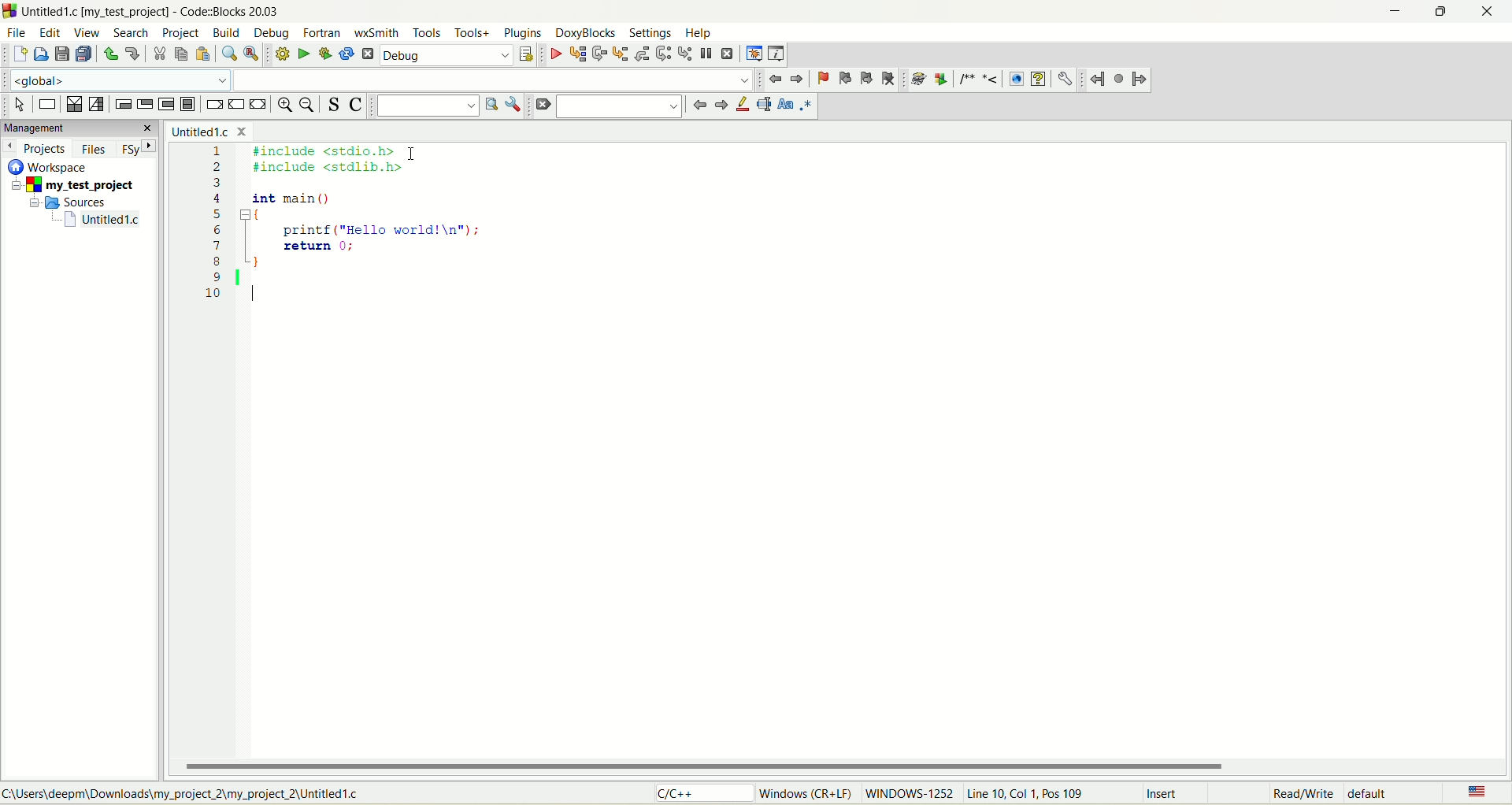  Describe the element at coordinates (186, 794) in the screenshot. I see `C:\Users\deepm\Downloads\my_project_2\my_project_2\Untitled1.c` at that location.